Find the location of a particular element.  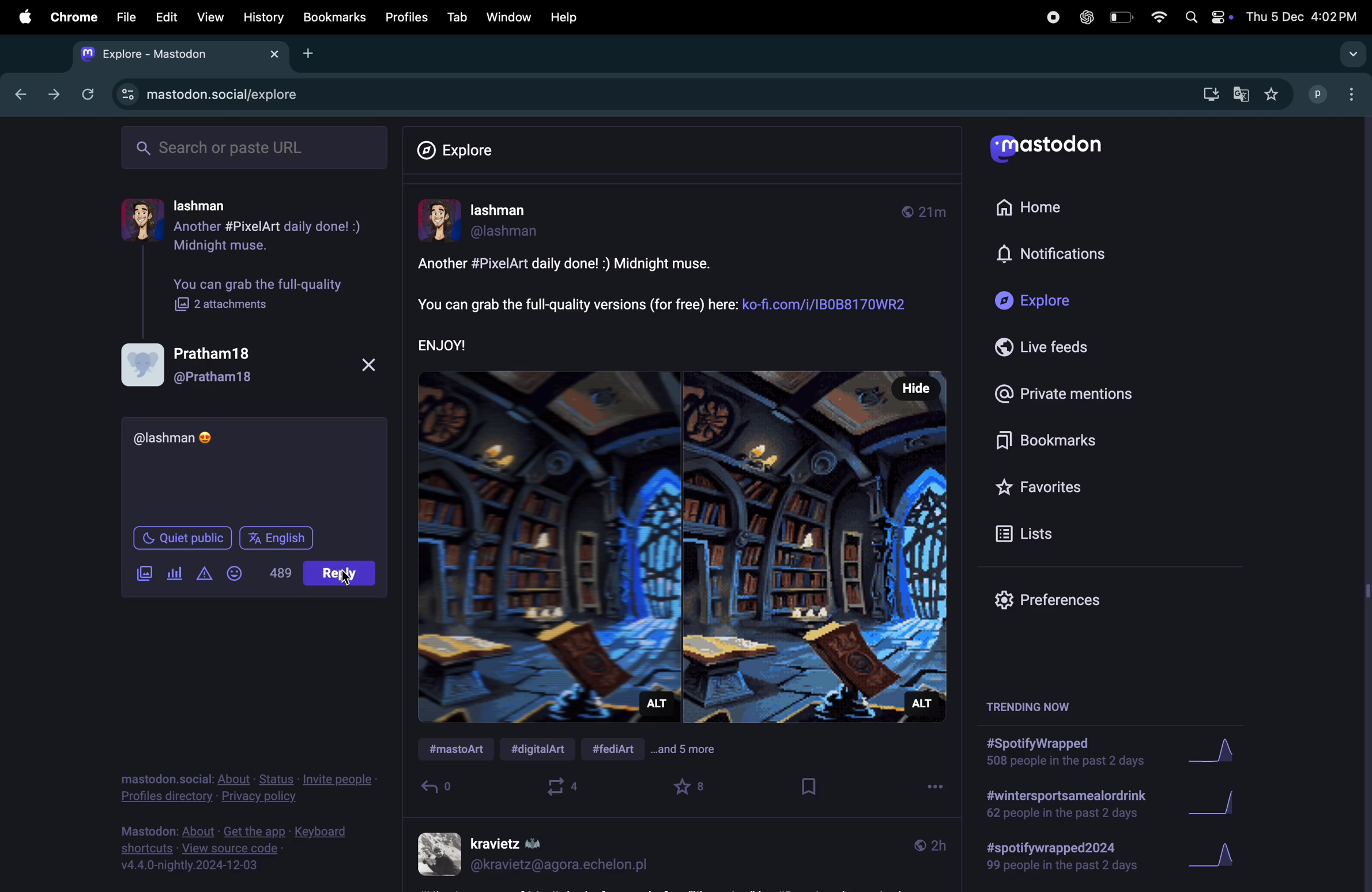

refresh is located at coordinates (89, 95).